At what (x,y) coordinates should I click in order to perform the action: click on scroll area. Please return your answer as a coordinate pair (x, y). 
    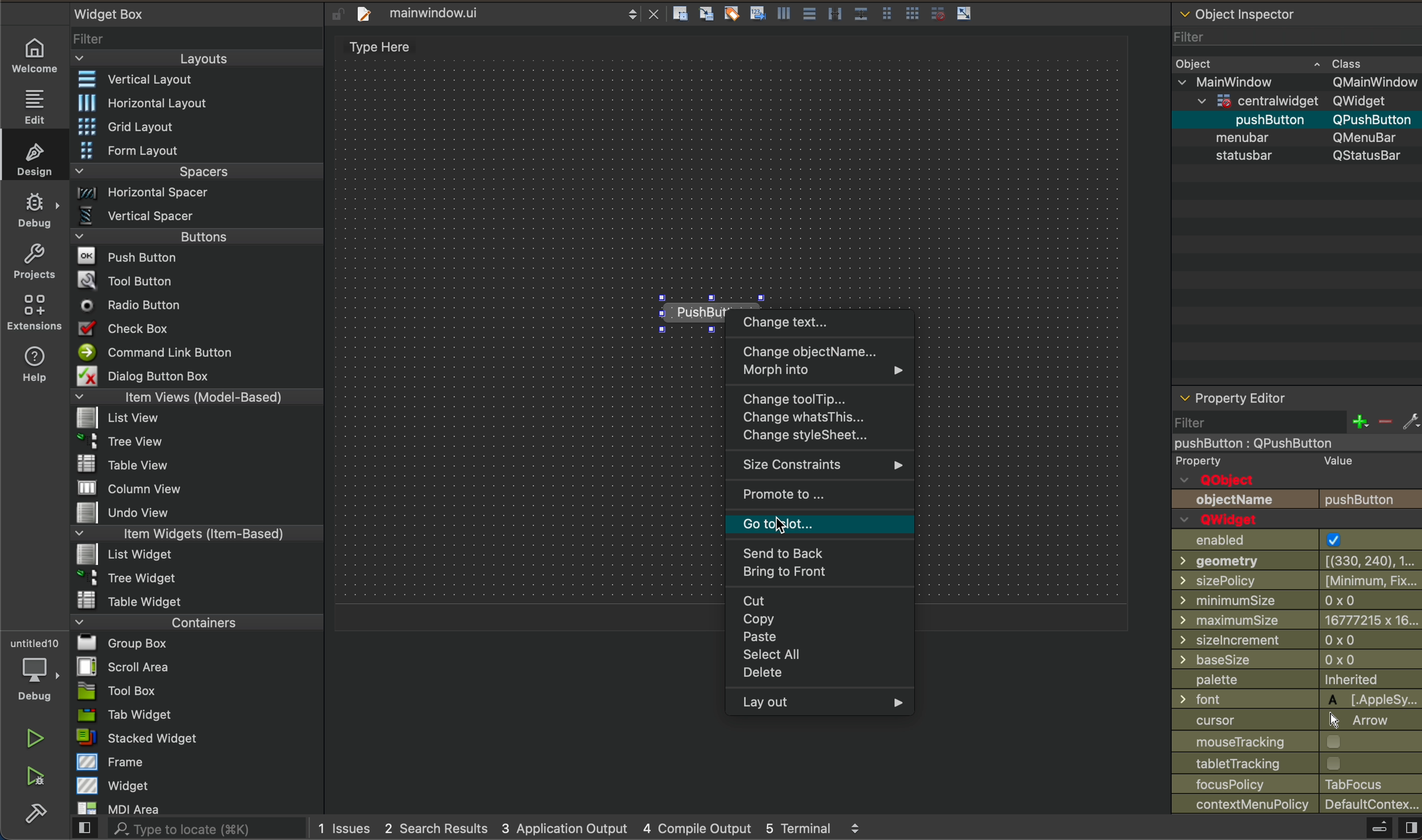
    Looking at the image, I should click on (200, 670).